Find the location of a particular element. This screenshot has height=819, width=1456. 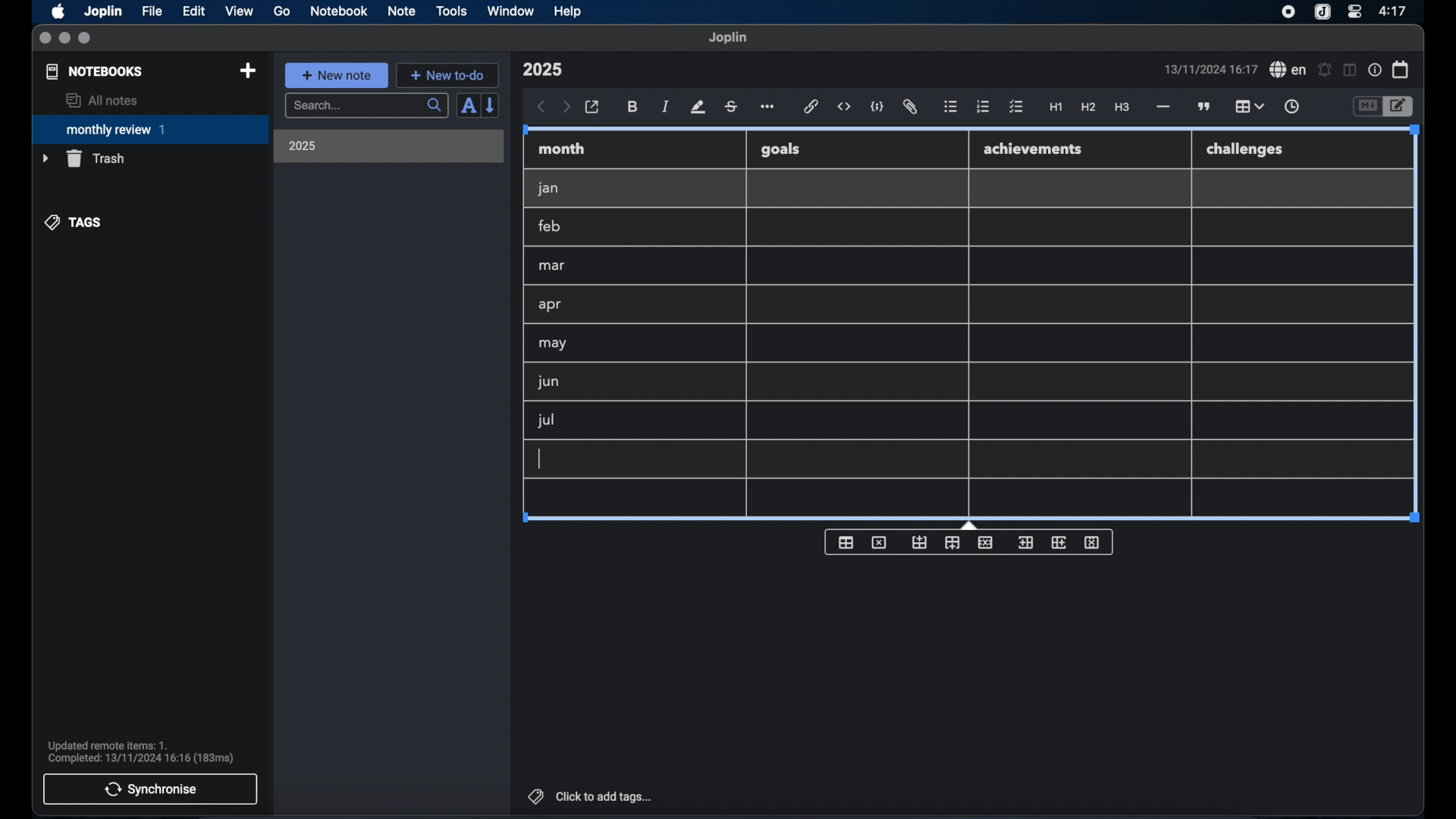

achievements is located at coordinates (1034, 149).